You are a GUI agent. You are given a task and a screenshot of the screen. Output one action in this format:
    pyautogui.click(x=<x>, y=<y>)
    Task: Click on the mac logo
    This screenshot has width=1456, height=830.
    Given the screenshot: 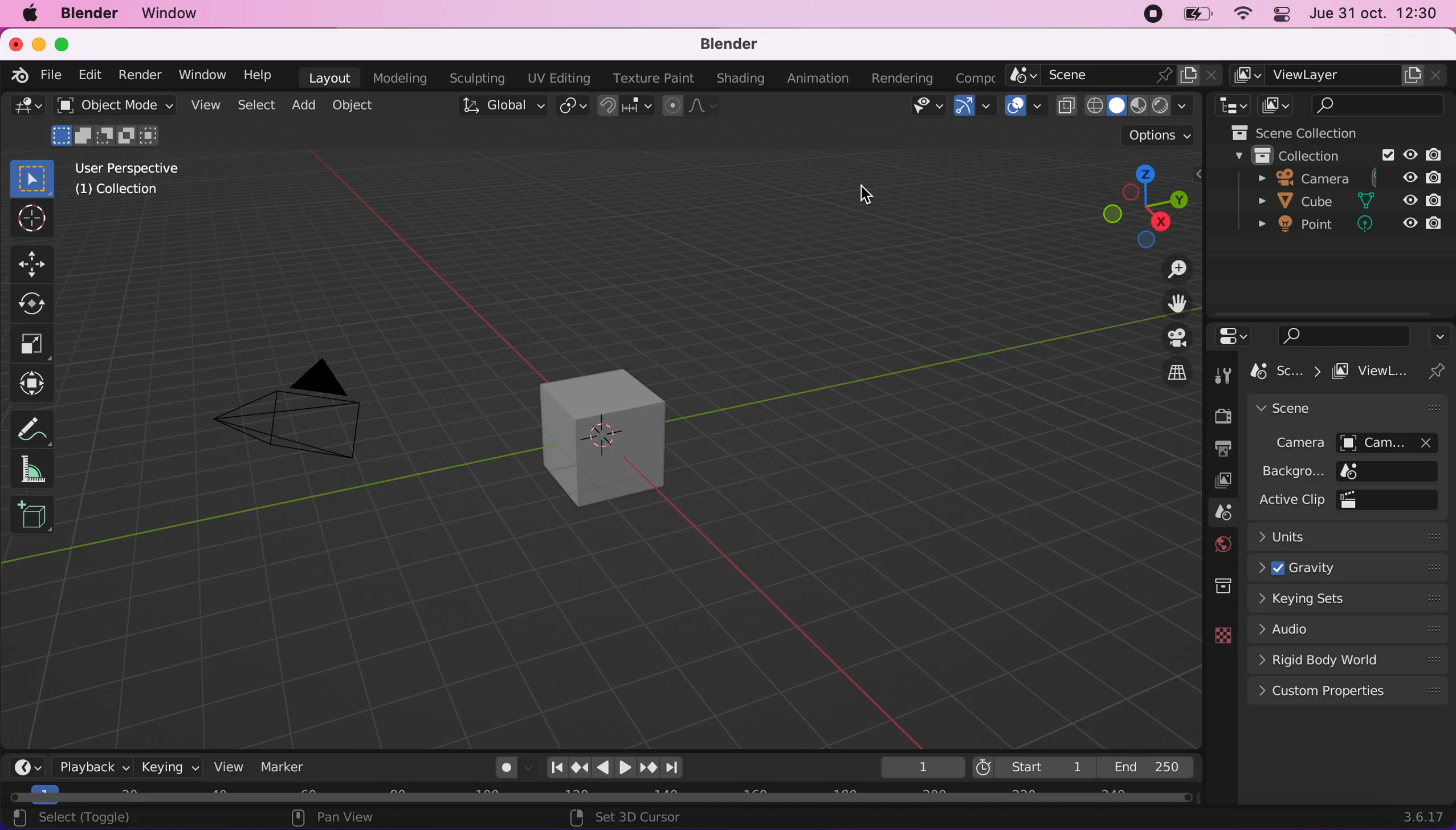 What is the action you would take?
    pyautogui.click(x=32, y=15)
    